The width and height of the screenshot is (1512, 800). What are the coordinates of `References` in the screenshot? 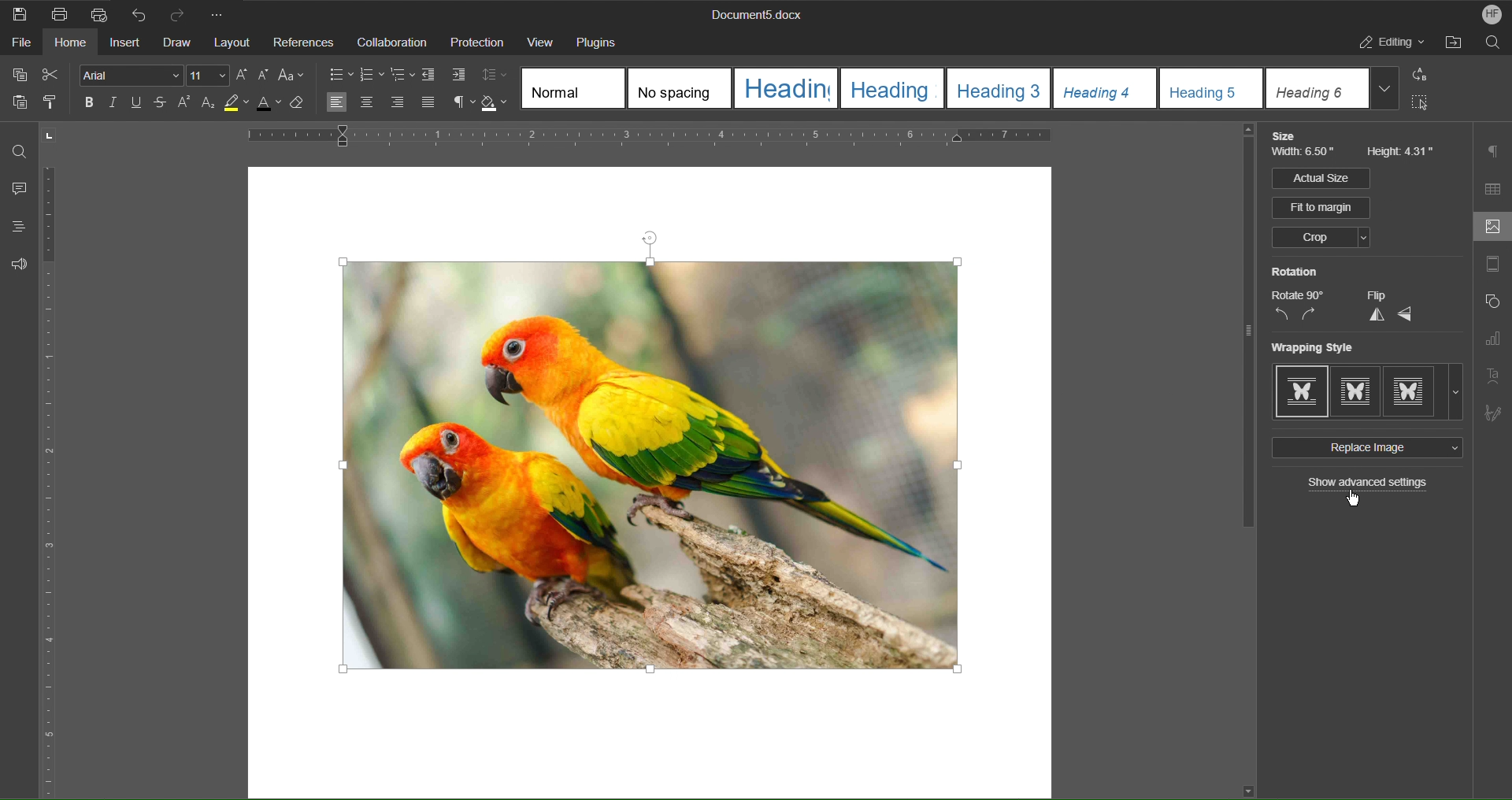 It's located at (303, 43).